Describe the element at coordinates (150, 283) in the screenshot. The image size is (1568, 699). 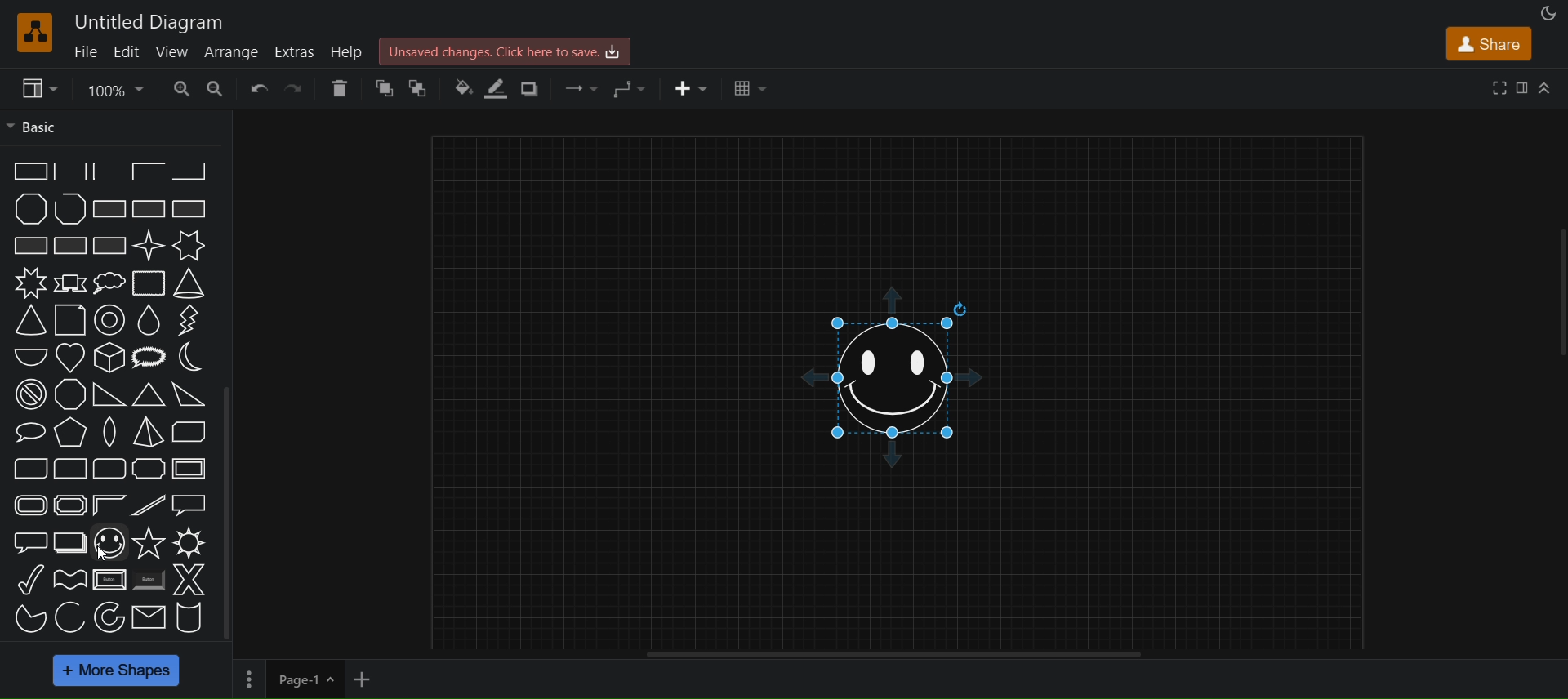
I see `cloud rectangle` at that location.